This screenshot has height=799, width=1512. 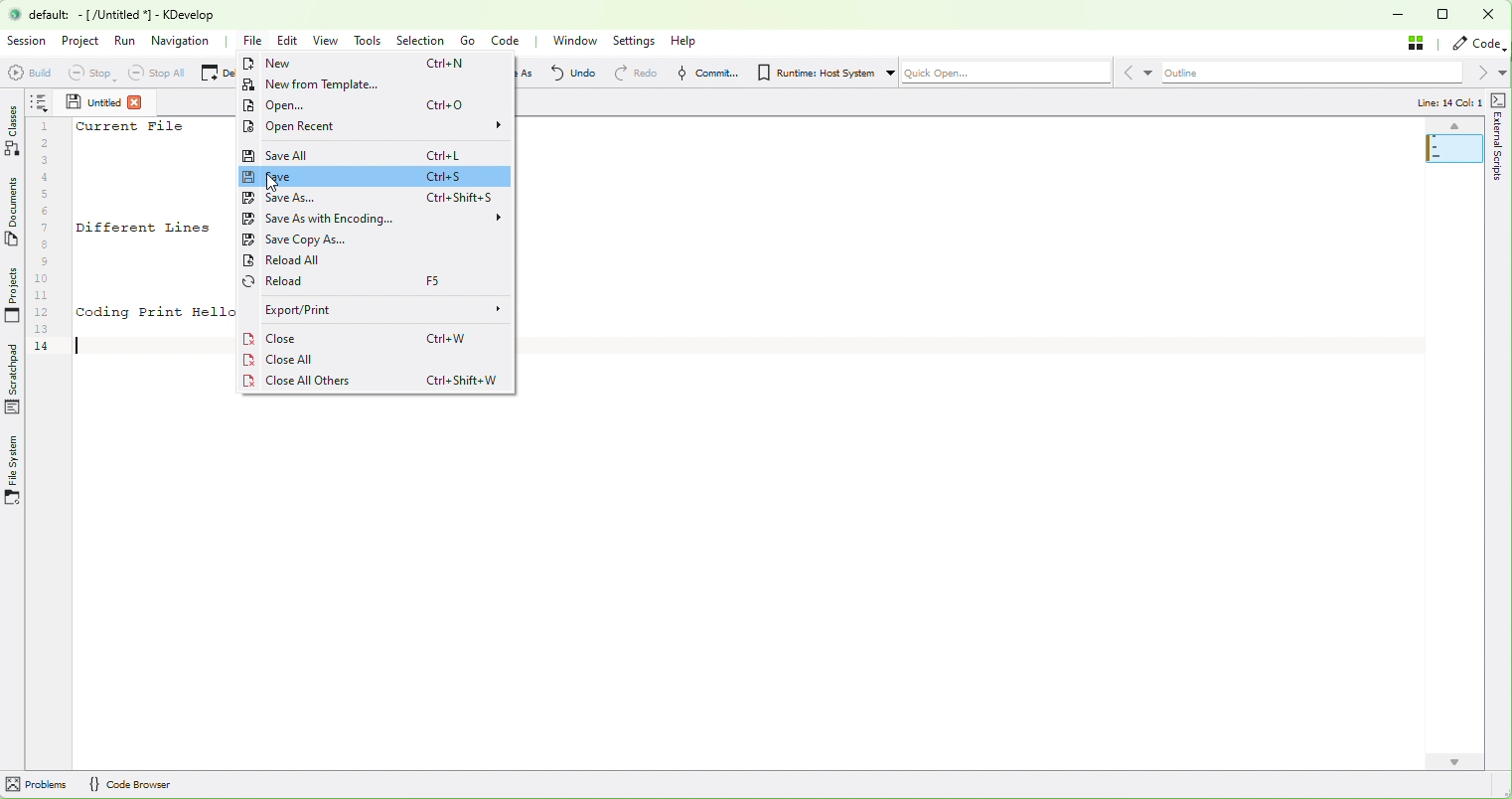 What do you see at coordinates (145, 229) in the screenshot?
I see `Different Lines` at bounding box center [145, 229].